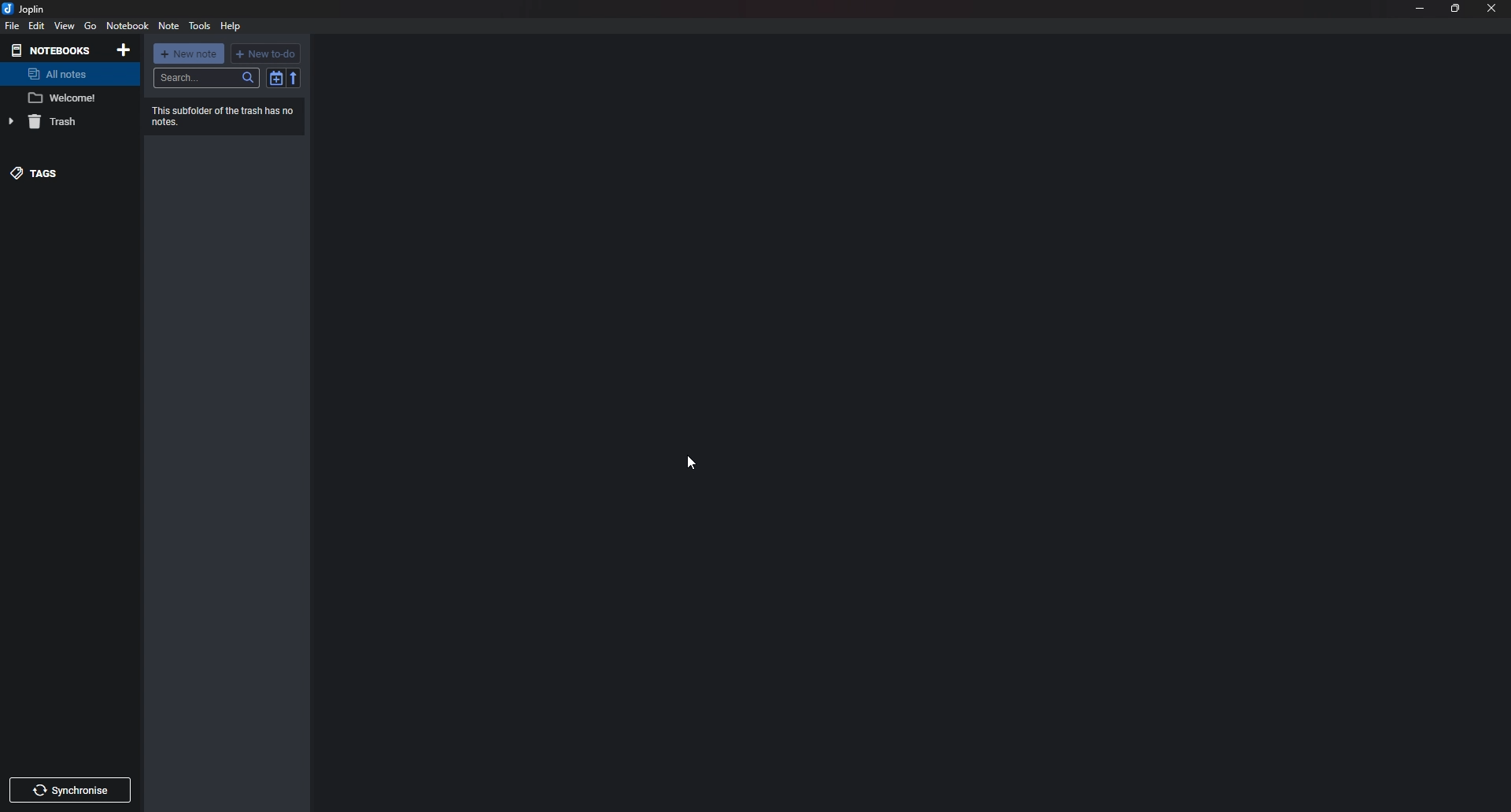 The height and width of the screenshot is (812, 1511). I want to click on Add notebooks, so click(124, 49).